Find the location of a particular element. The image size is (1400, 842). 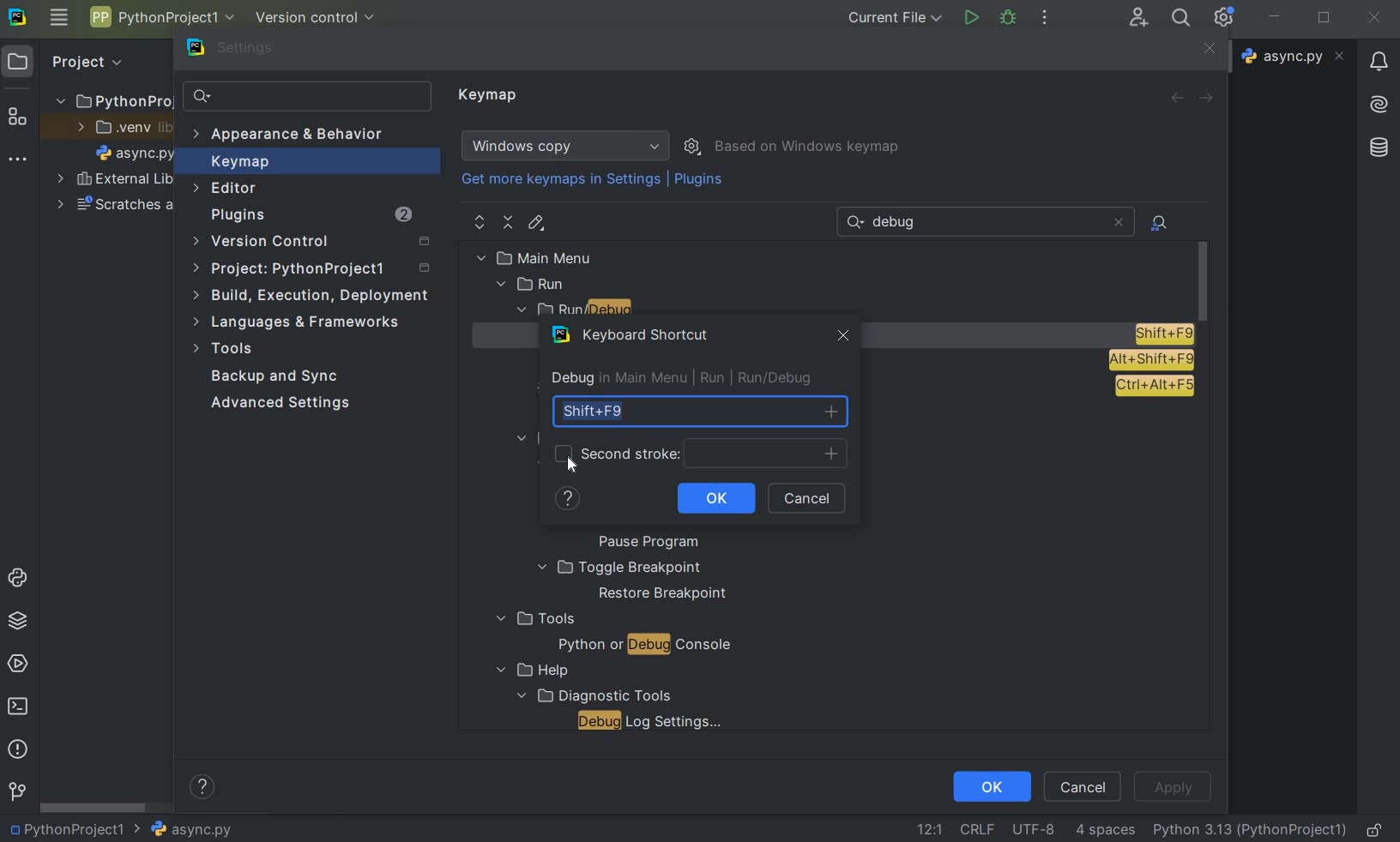

show help contents is located at coordinates (202, 790).